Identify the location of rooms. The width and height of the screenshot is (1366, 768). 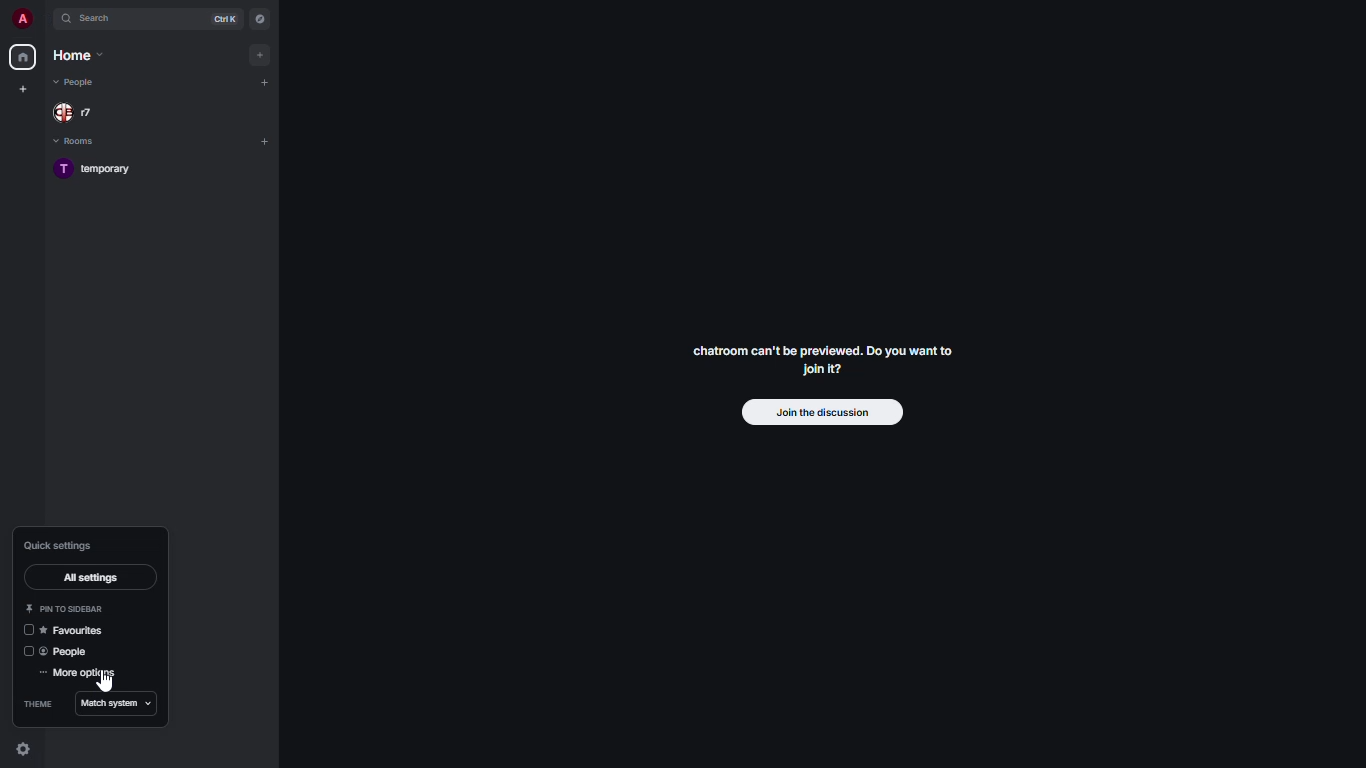
(77, 142).